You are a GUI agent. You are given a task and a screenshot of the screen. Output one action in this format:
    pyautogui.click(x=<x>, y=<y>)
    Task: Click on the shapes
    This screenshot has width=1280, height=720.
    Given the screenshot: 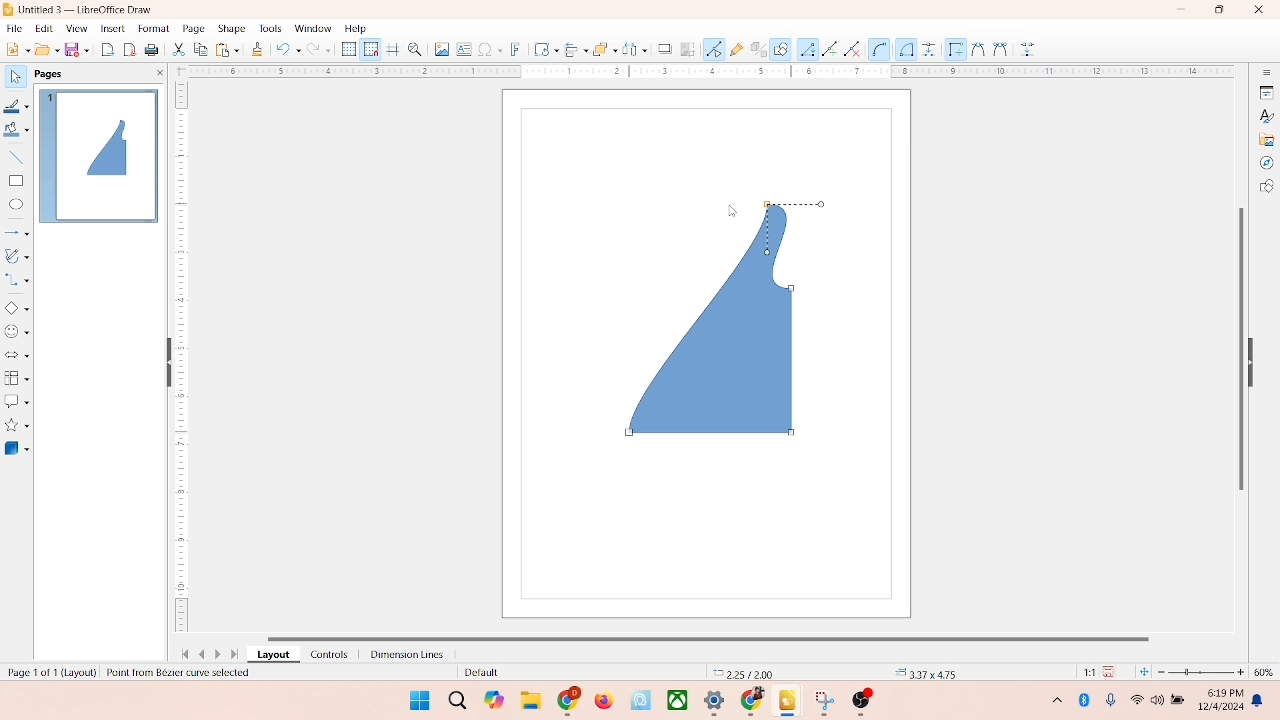 What is the action you would take?
    pyautogui.click(x=1266, y=188)
    